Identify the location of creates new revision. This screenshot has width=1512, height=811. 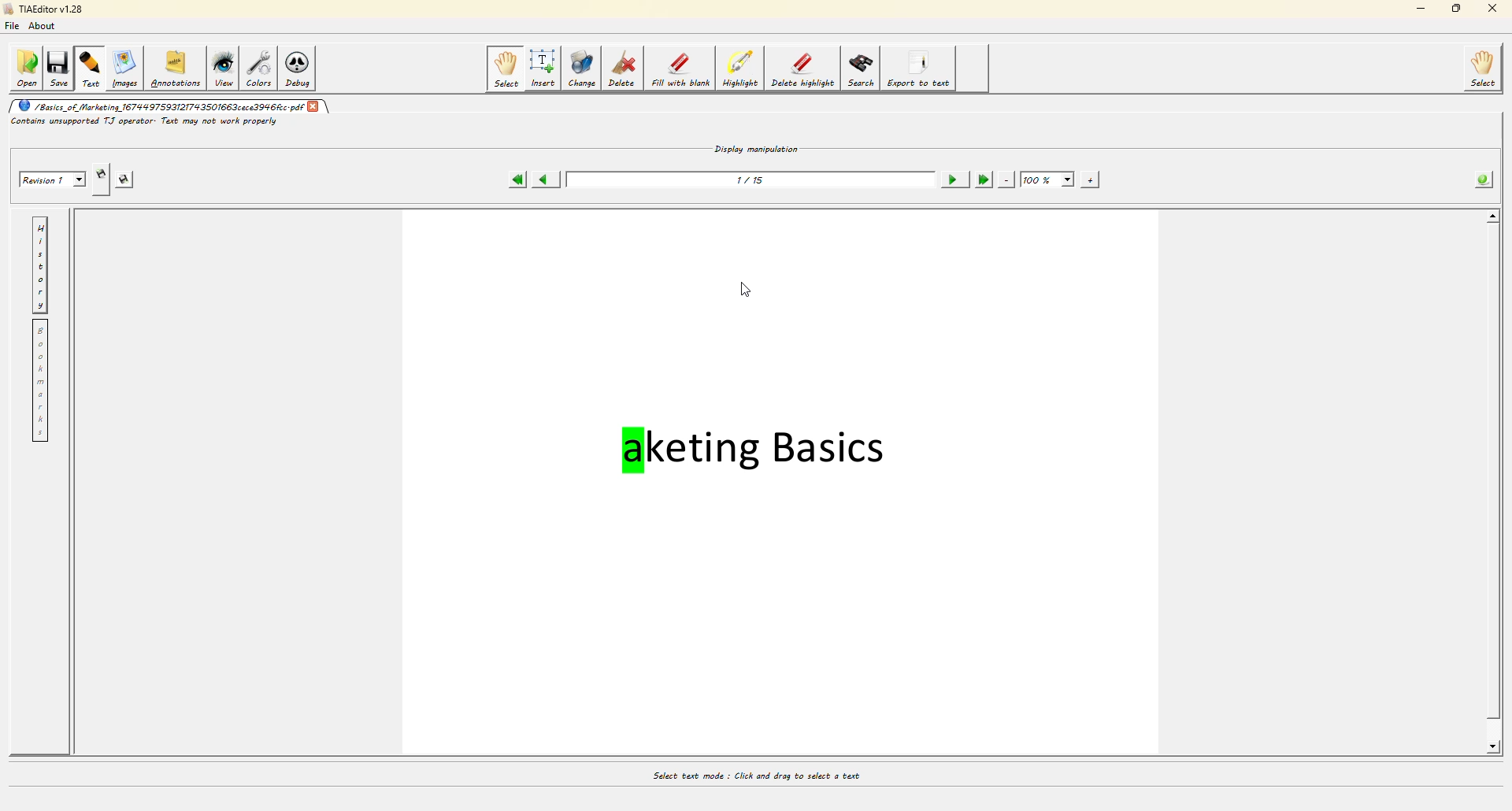
(102, 173).